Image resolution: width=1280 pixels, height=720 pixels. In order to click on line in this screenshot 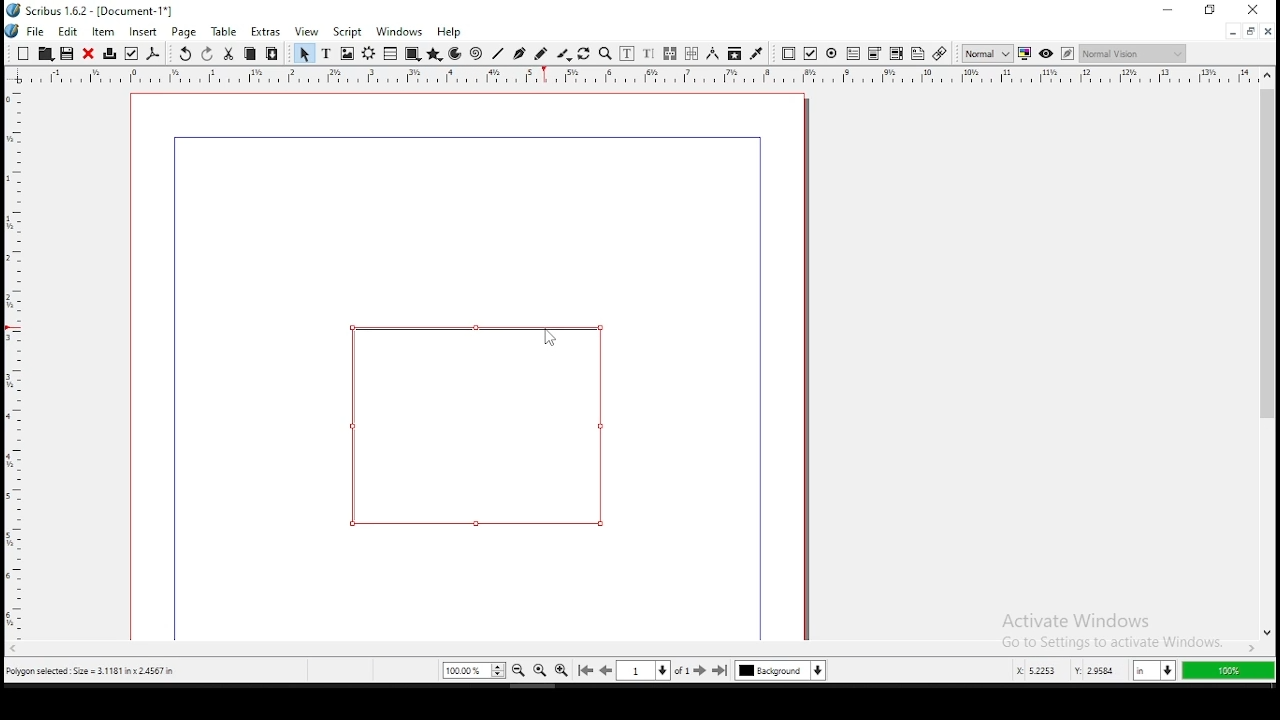, I will do `click(498, 54)`.